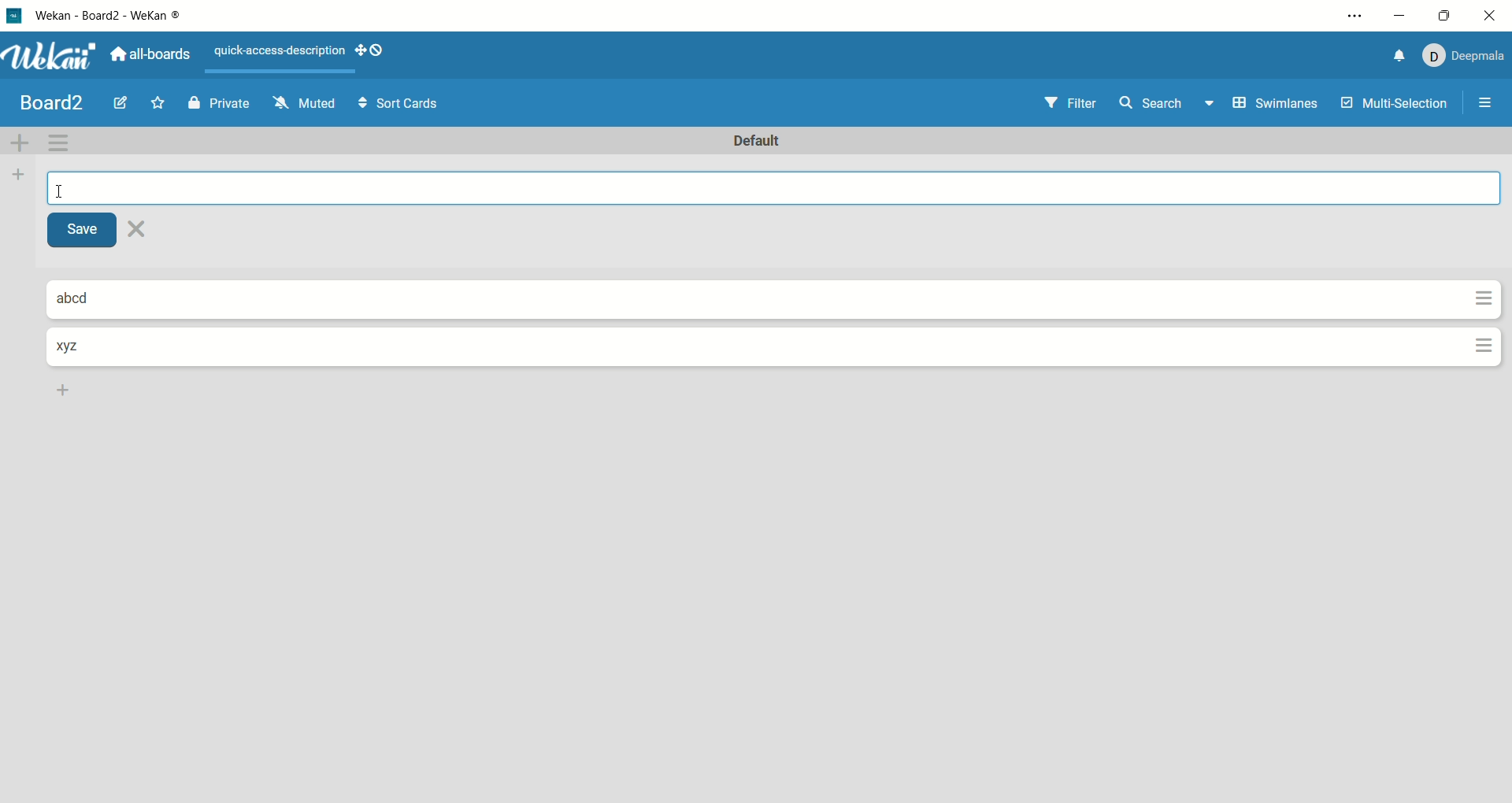  I want to click on favorite, so click(161, 102).